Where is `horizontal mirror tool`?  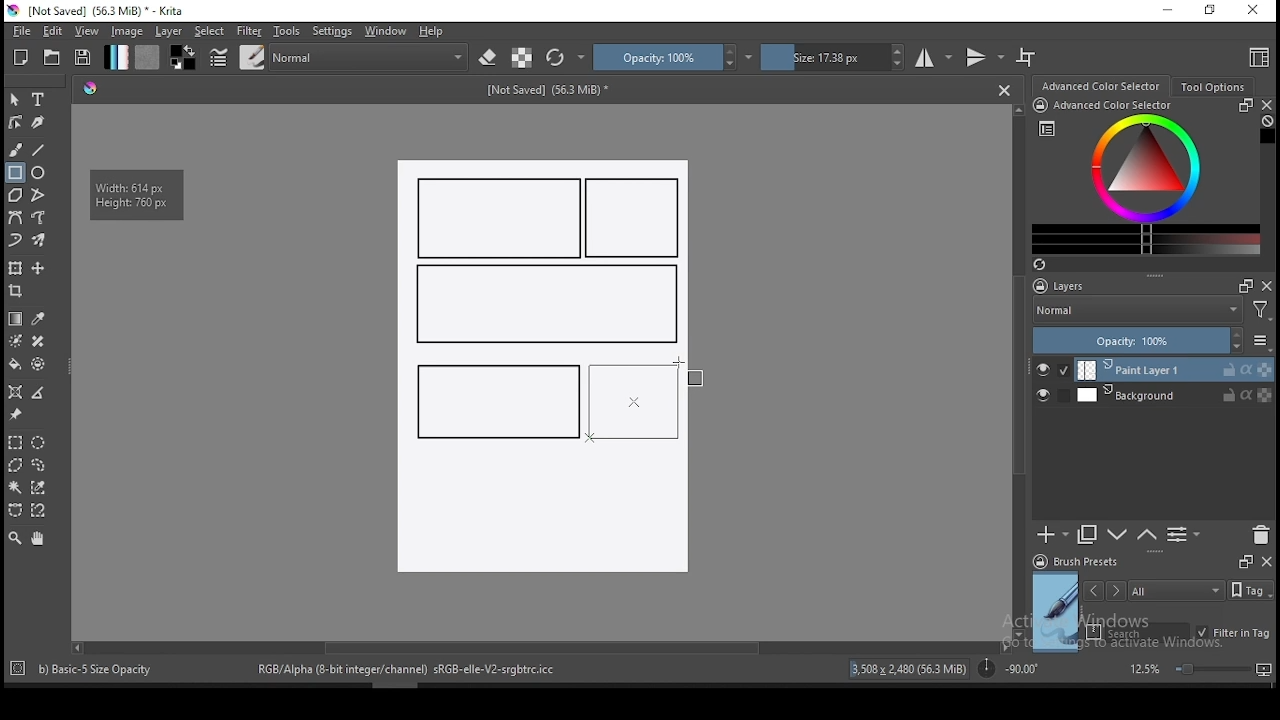 horizontal mirror tool is located at coordinates (934, 57).